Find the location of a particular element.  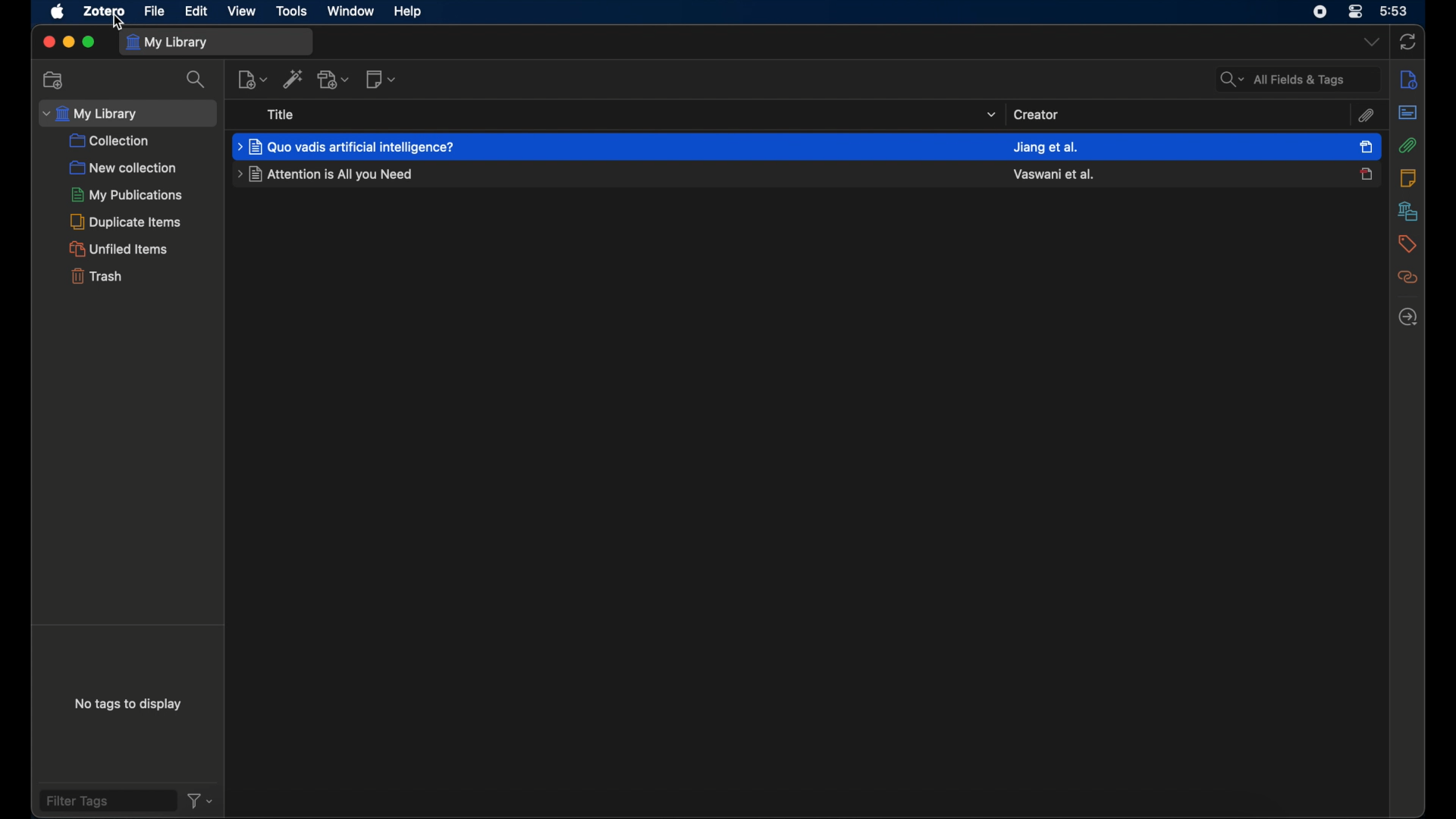

creator is located at coordinates (1037, 115).